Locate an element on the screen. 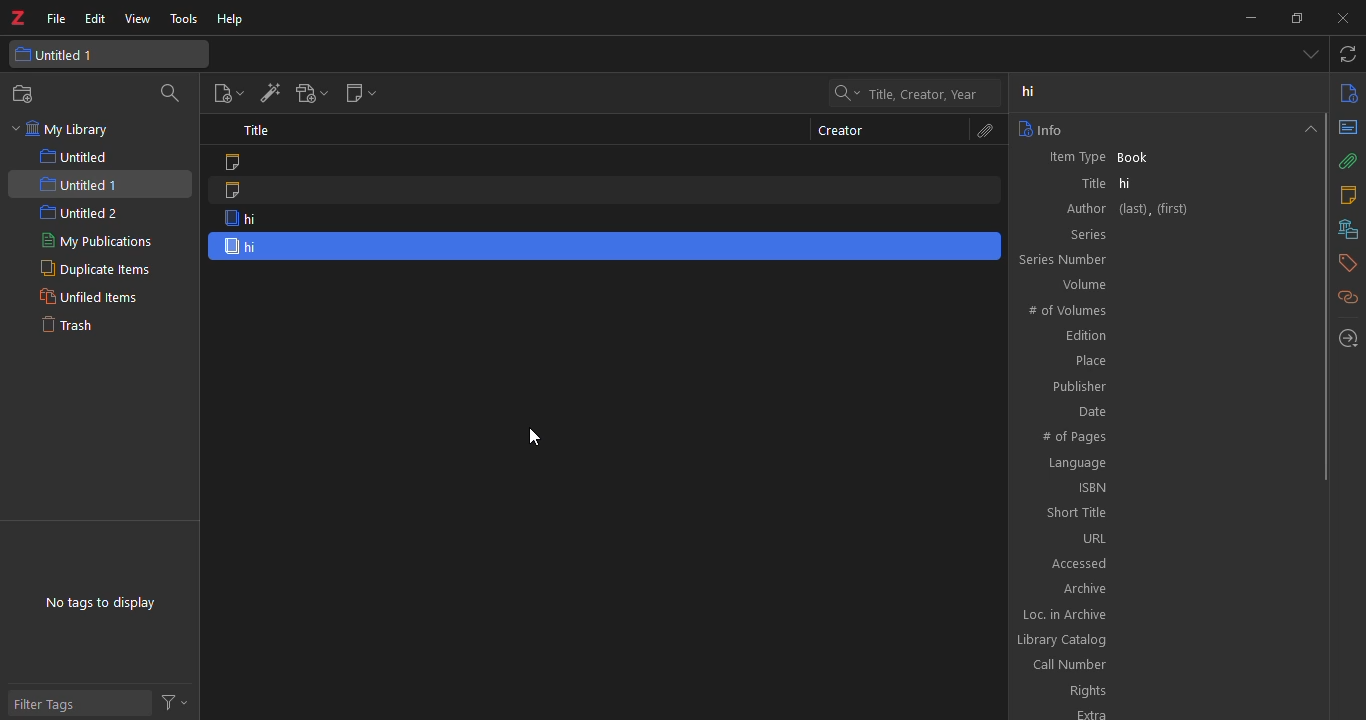 The image size is (1366, 720). untitled 1 is located at coordinates (68, 54).